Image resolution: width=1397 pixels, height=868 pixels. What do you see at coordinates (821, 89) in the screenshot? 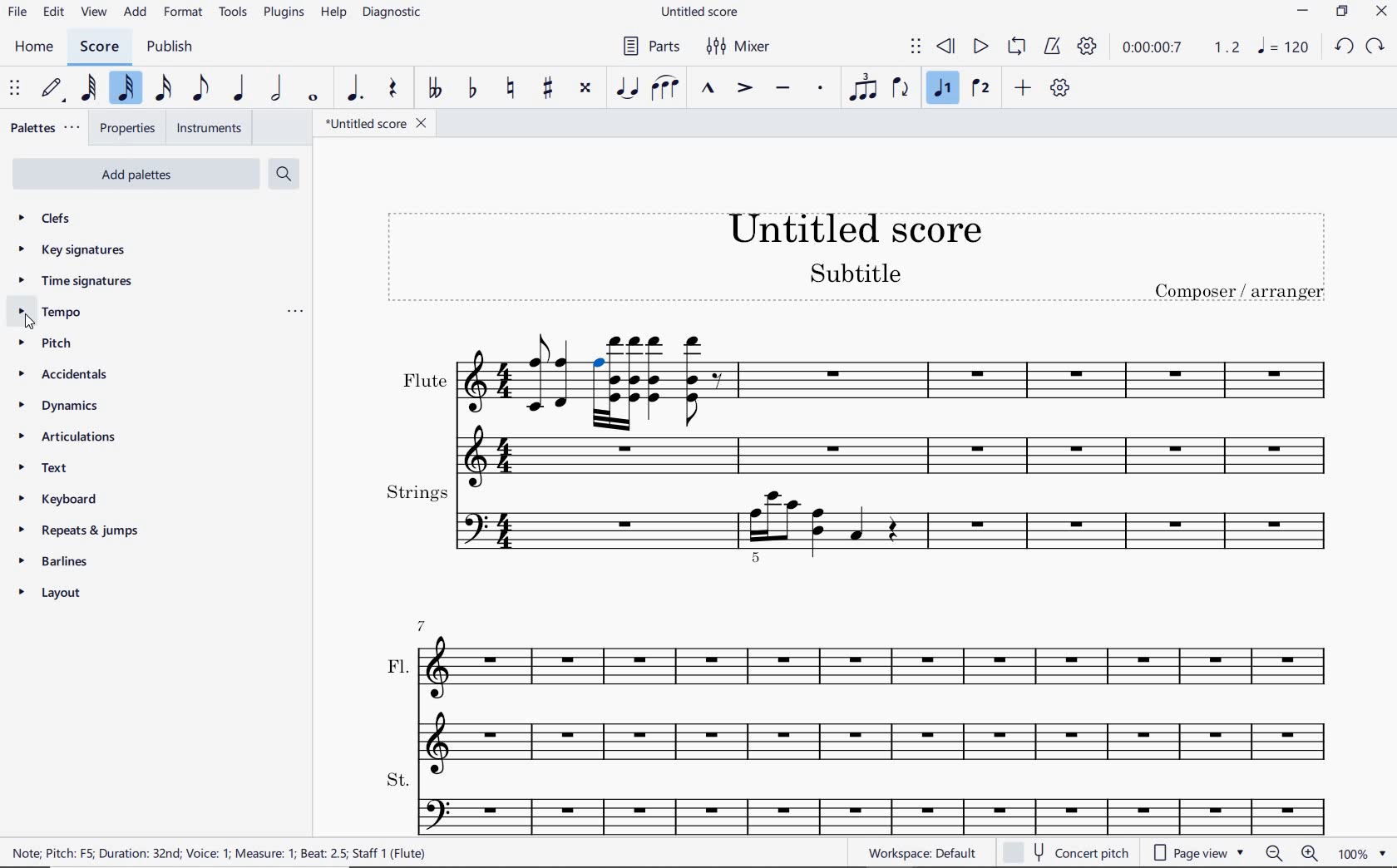
I see `STACCATO` at bounding box center [821, 89].